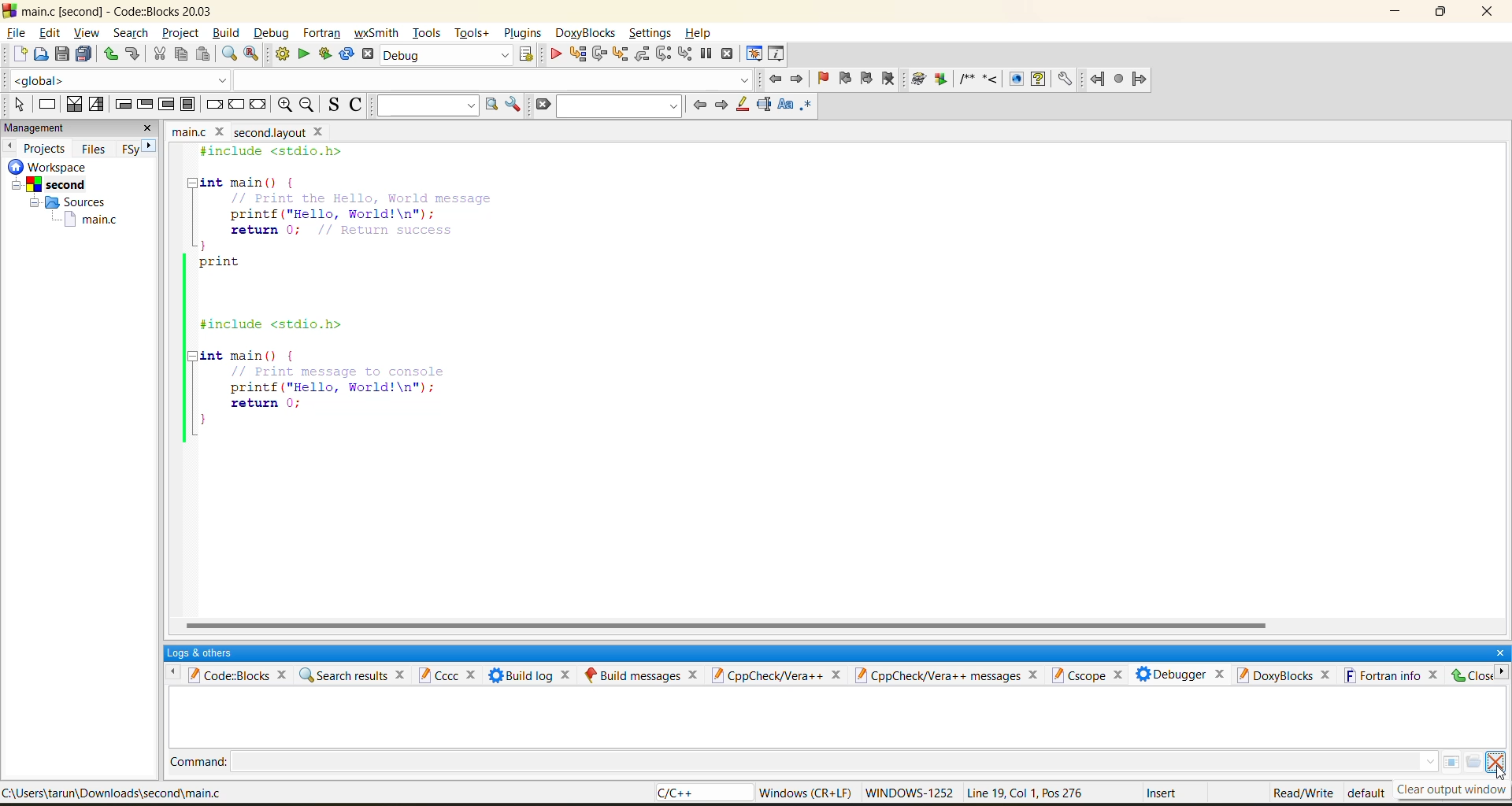 The image size is (1512, 806). What do you see at coordinates (523, 31) in the screenshot?
I see `plugins` at bounding box center [523, 31].